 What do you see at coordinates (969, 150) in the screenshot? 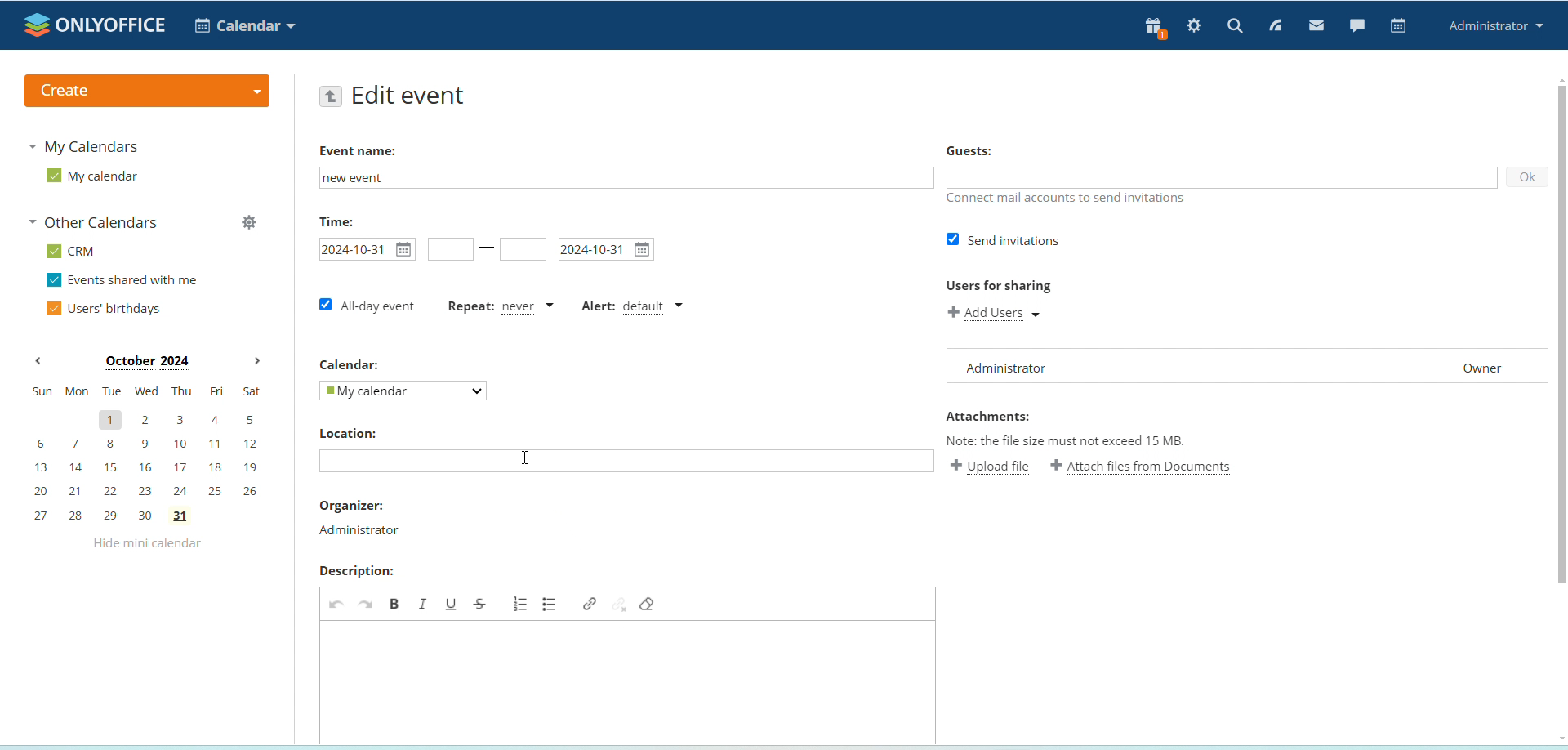
I see `Guests` at bounding box center [969, 150].